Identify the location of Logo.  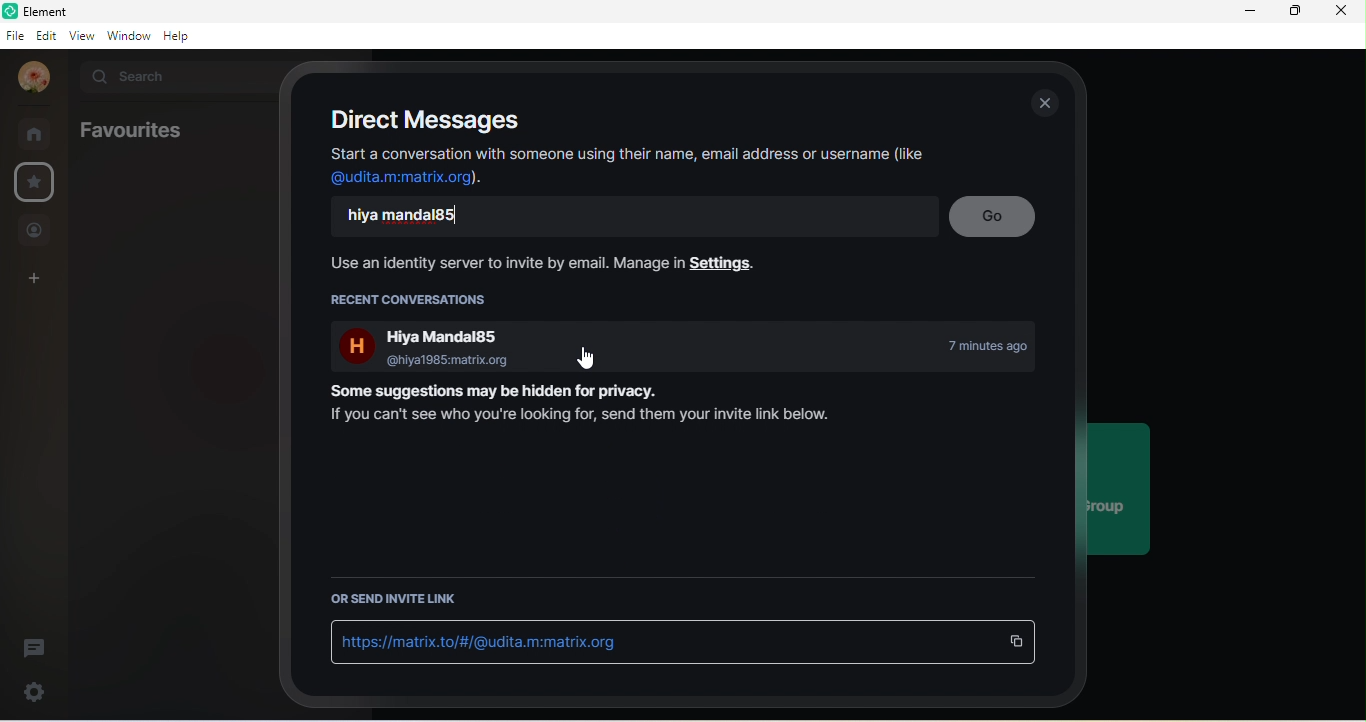
(11, 10).